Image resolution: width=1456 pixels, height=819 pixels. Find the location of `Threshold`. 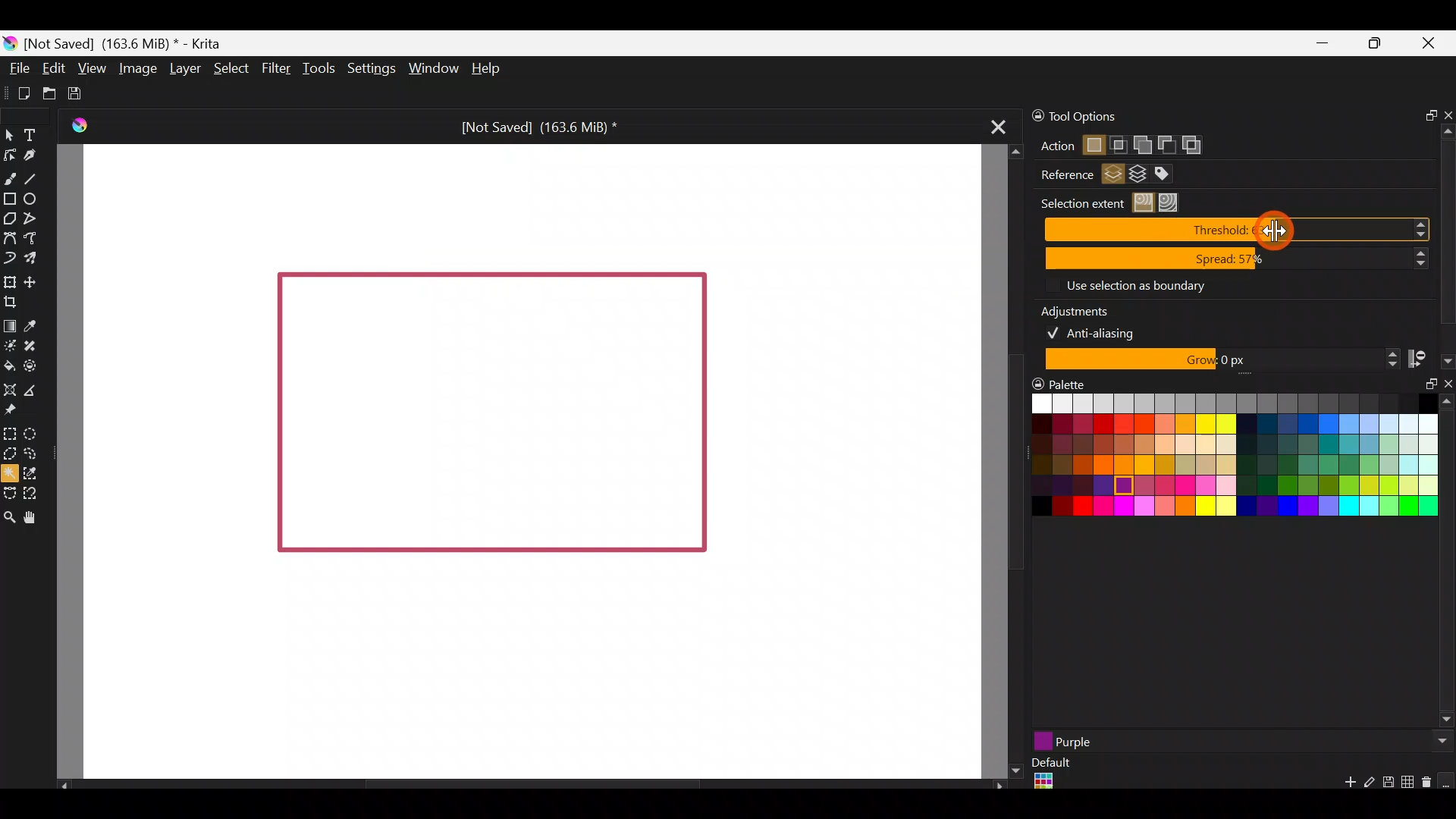

Threshold is located at coordinates (1241, 229).